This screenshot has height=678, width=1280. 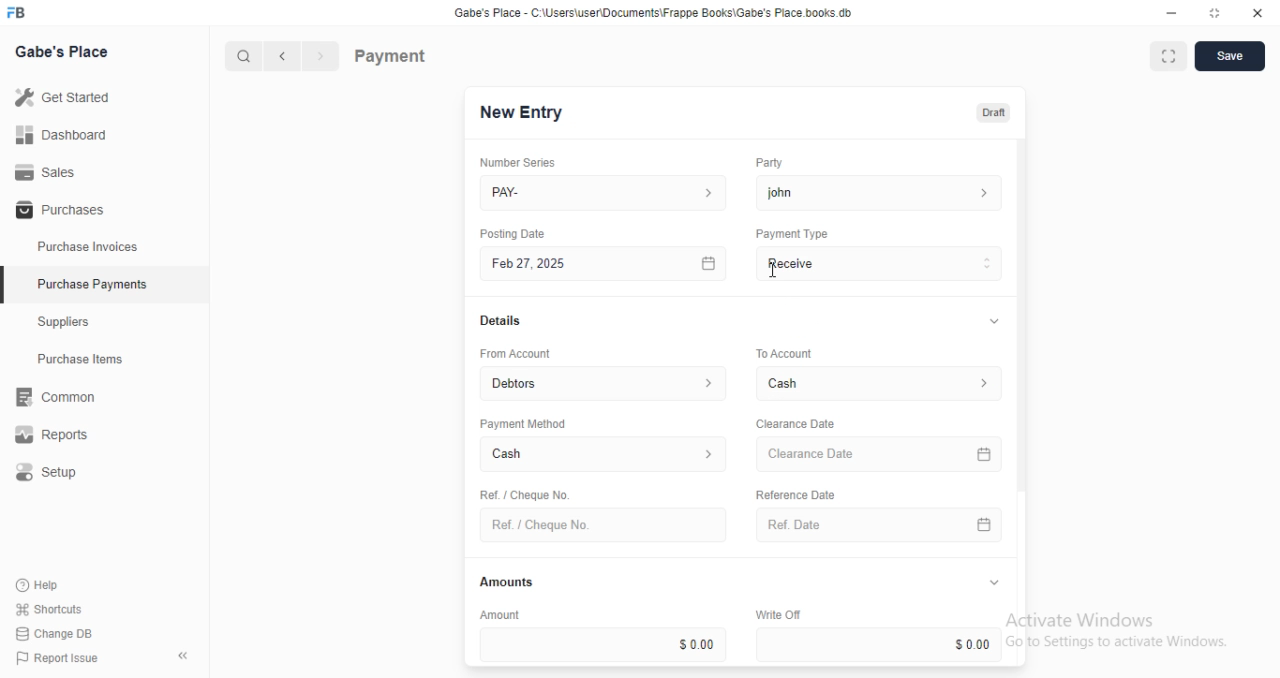 What do you see at coordinates (990, 111) in the screenshot?
I see `Draft` at bounding box center [990, 111].